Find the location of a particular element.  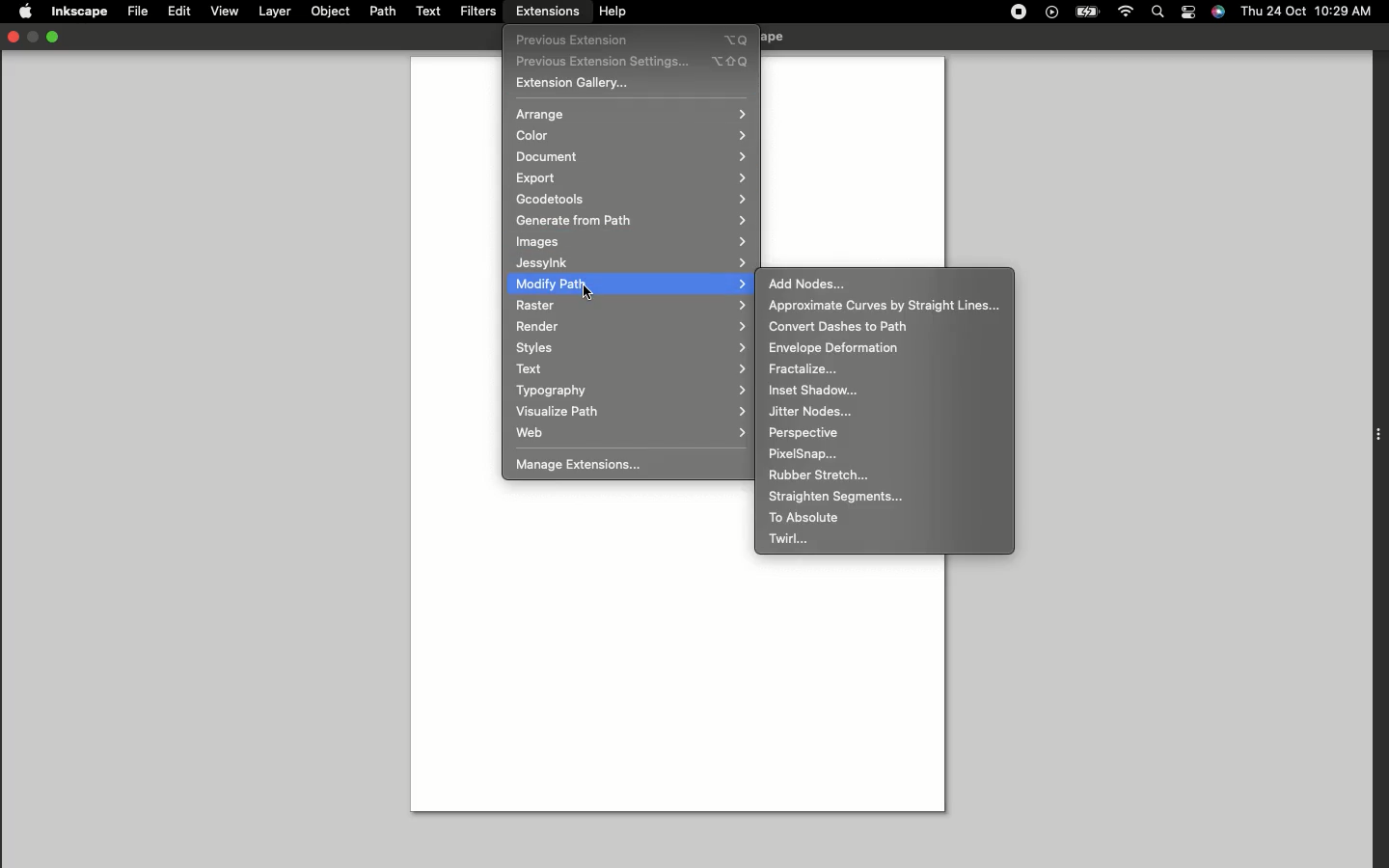

Path is located at coordinates (387, 13).